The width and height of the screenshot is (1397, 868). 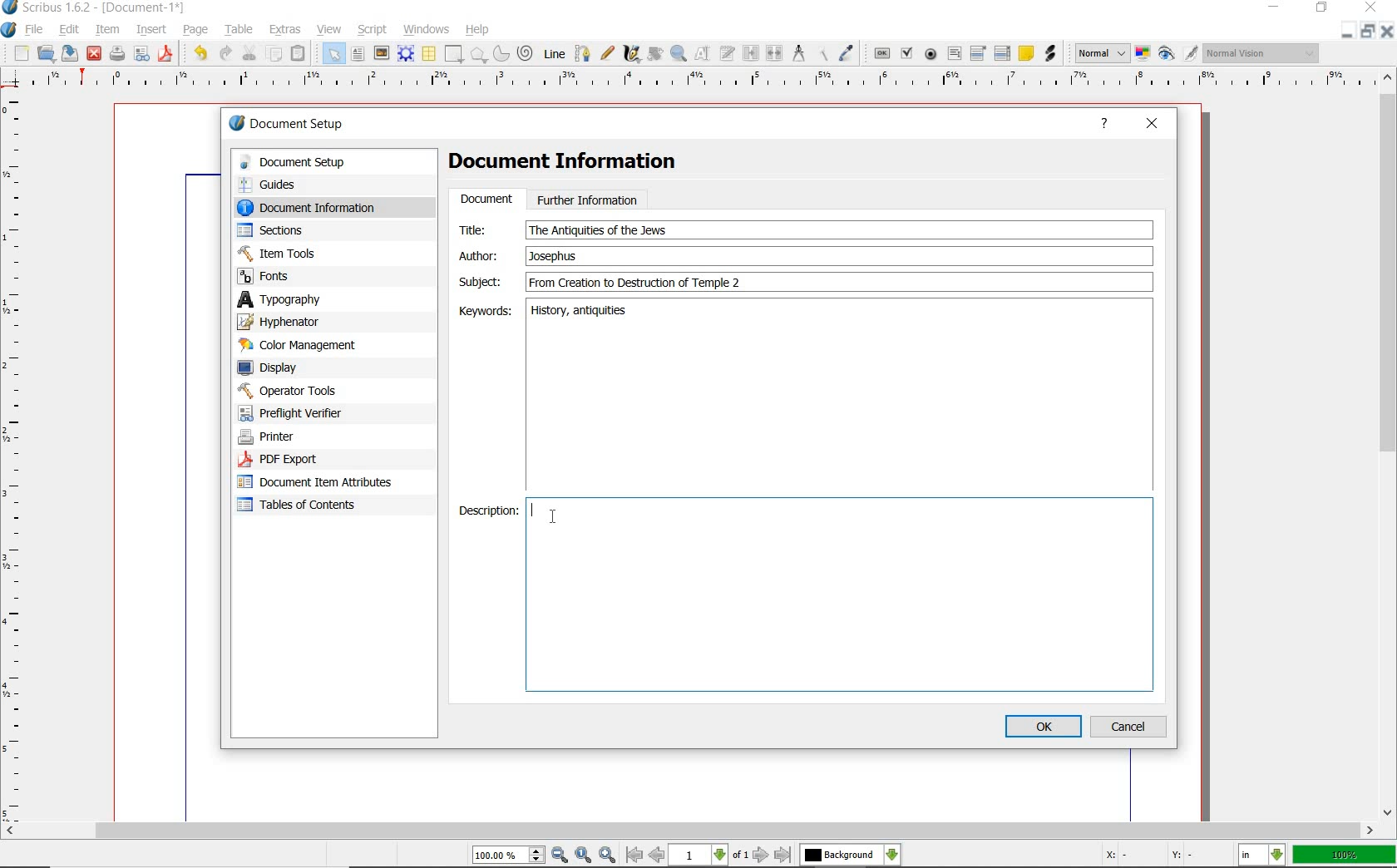 I want to click on preview mode, so click(x=1179, y=54).